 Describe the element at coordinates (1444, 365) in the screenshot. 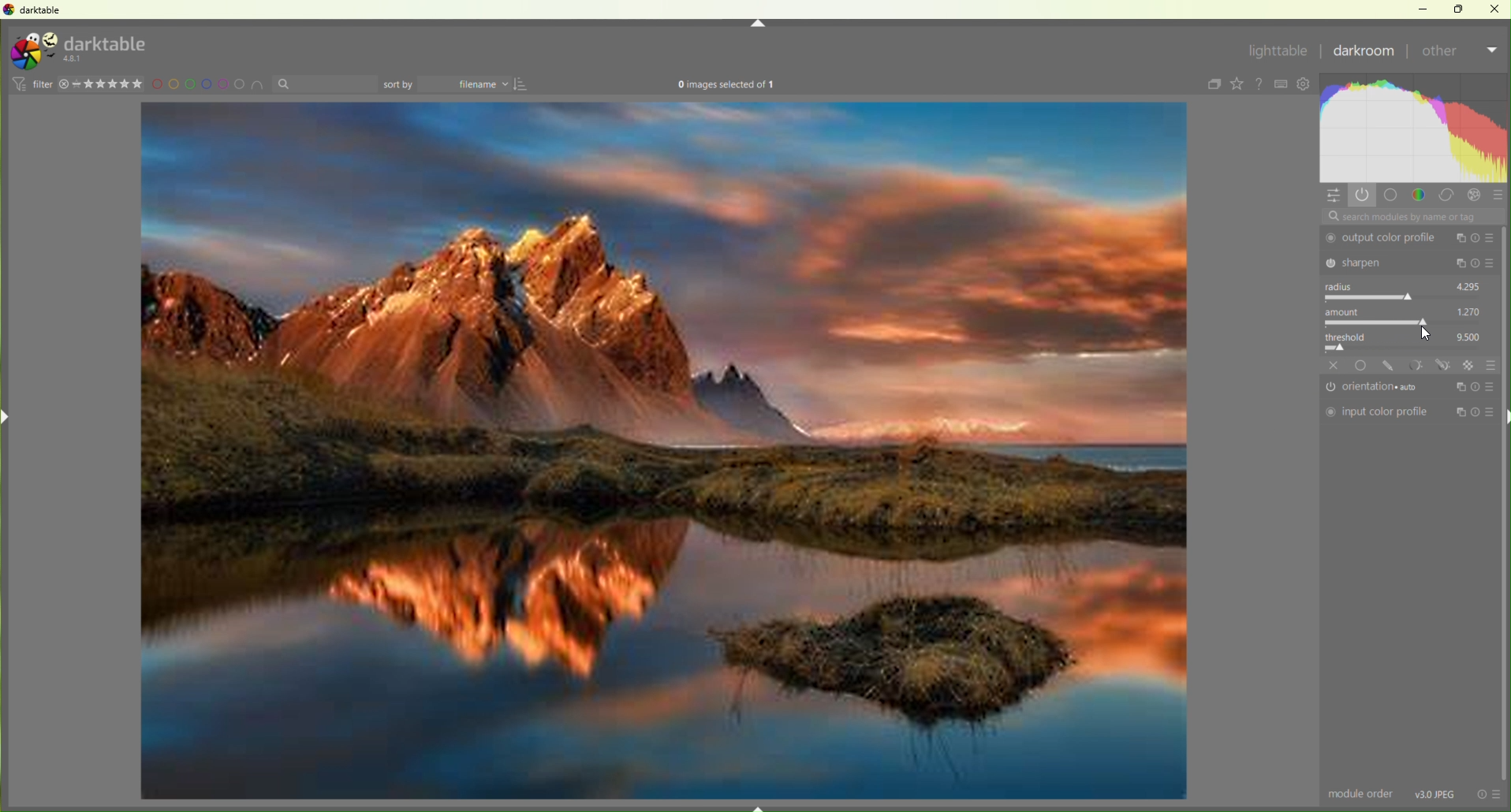

I see `tool` at that location.